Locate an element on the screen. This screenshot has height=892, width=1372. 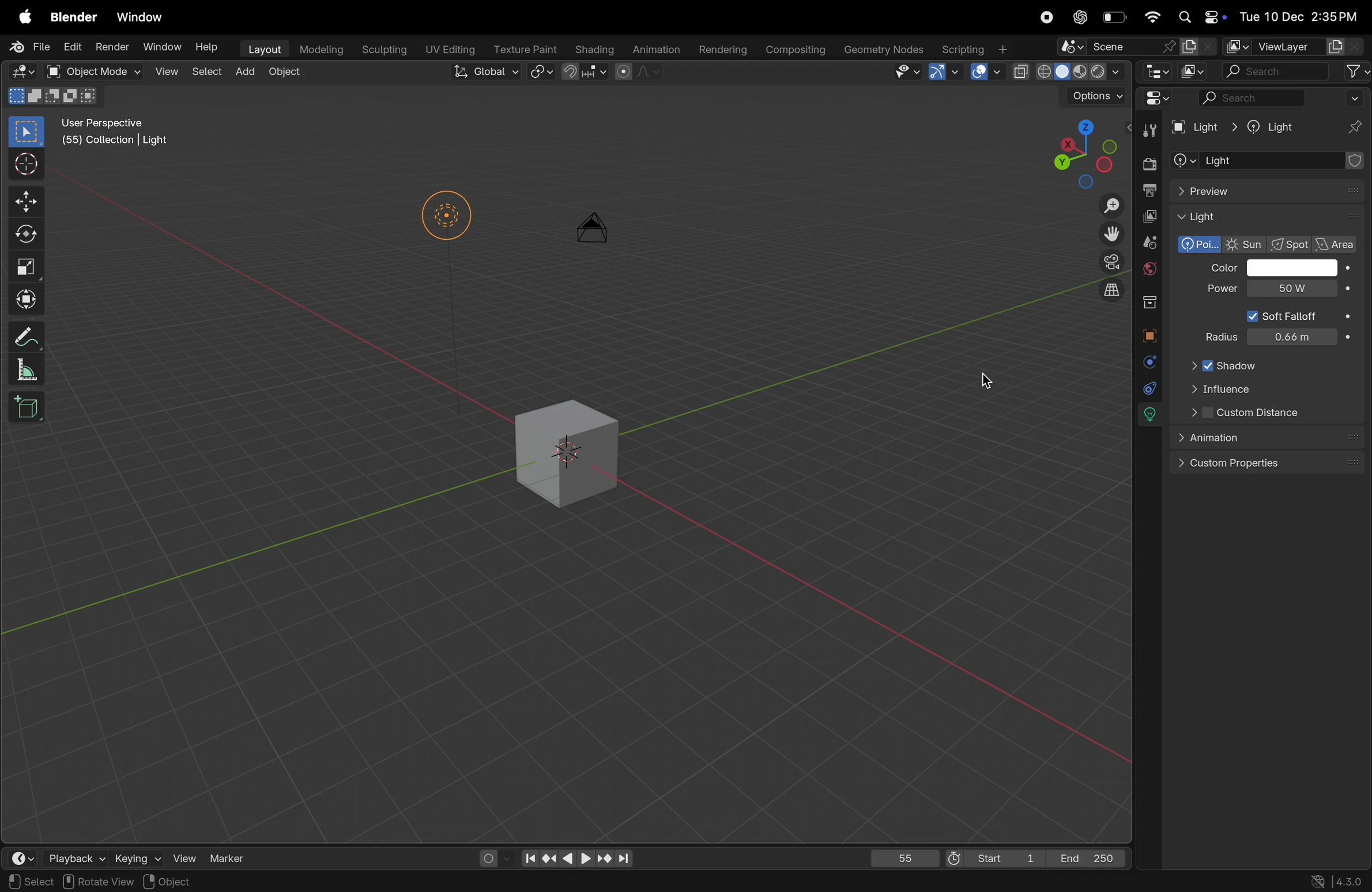
sculptiong is located at coordinates (383, 48).